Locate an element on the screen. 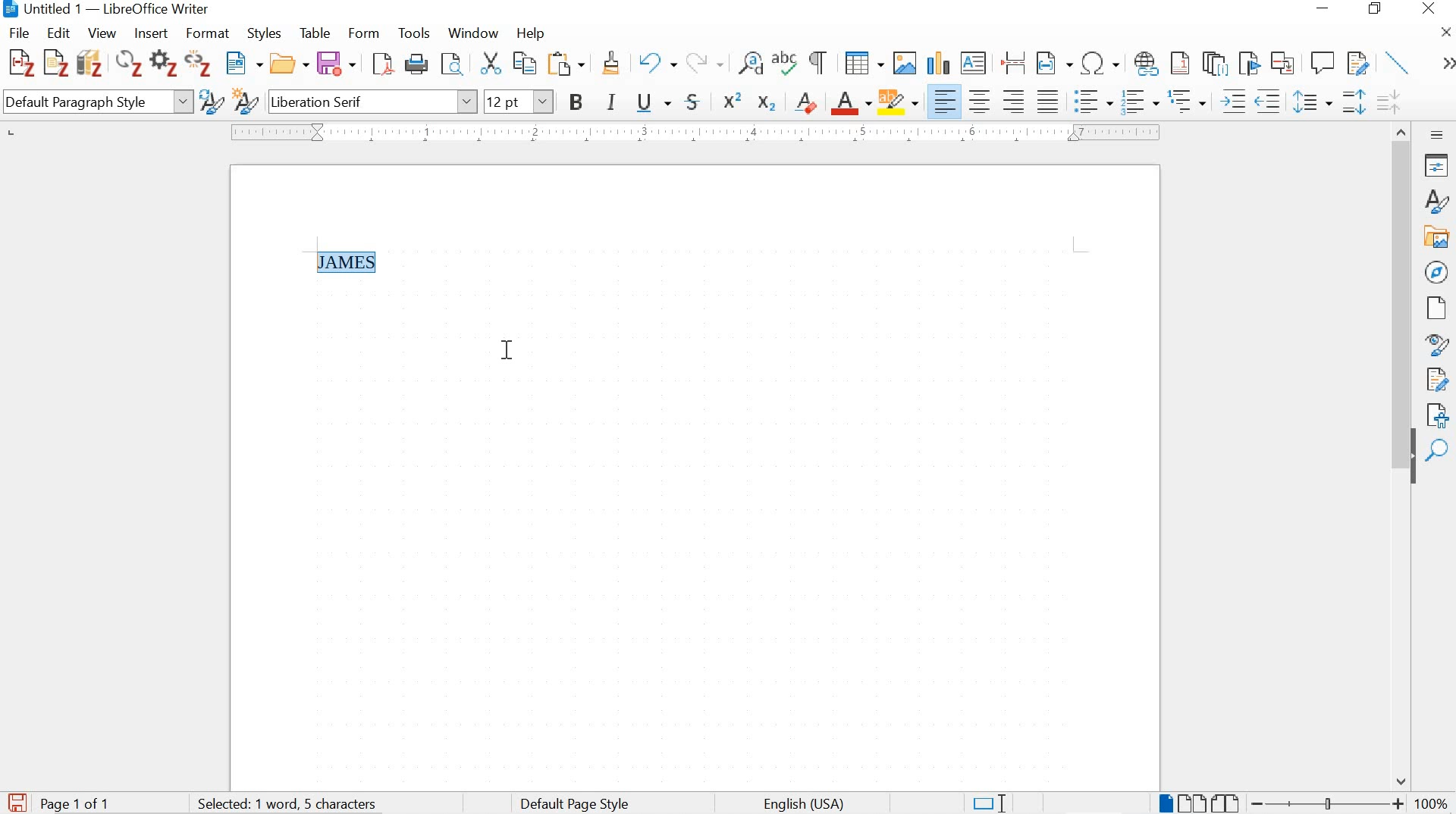 This screenshot has width=1456, height=814. default page style is located at coordinates (578, 803).